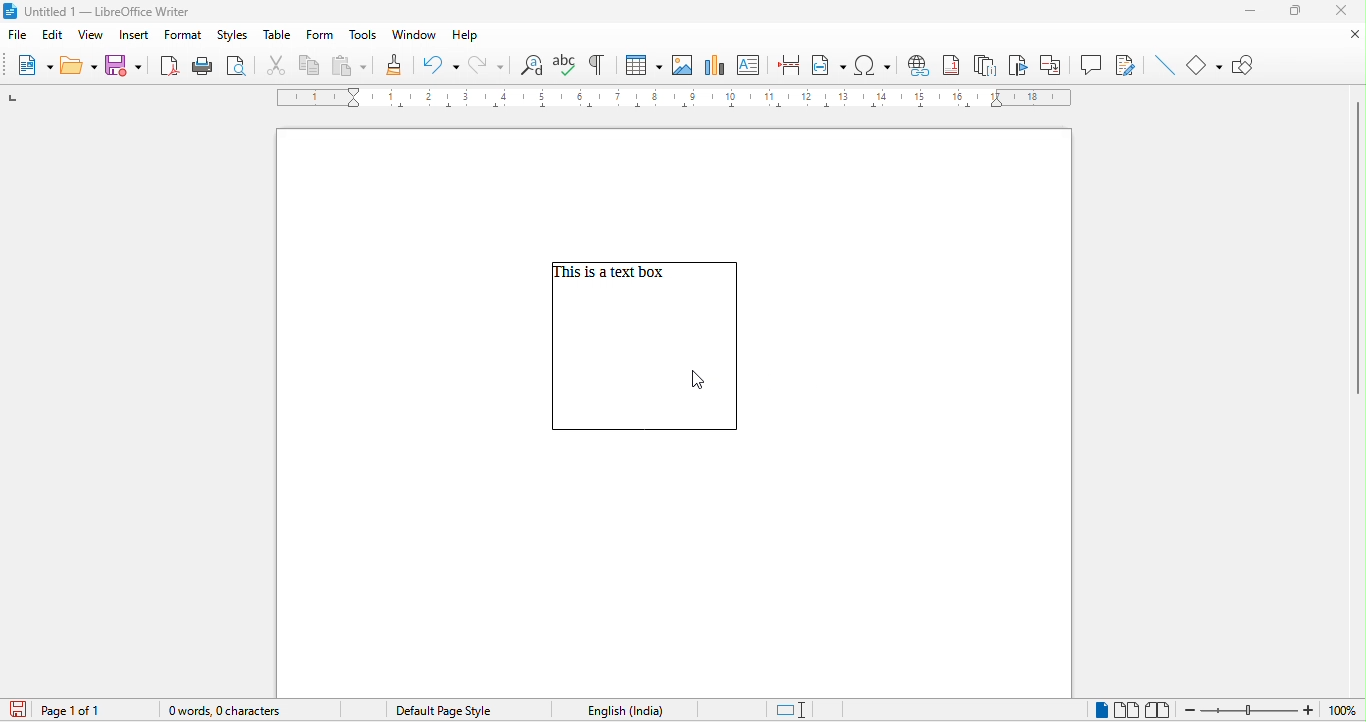 The image size is (1366, 722). Describe the element at coordinates (236, 67) in the screenshot. I see `print preview` at that location.